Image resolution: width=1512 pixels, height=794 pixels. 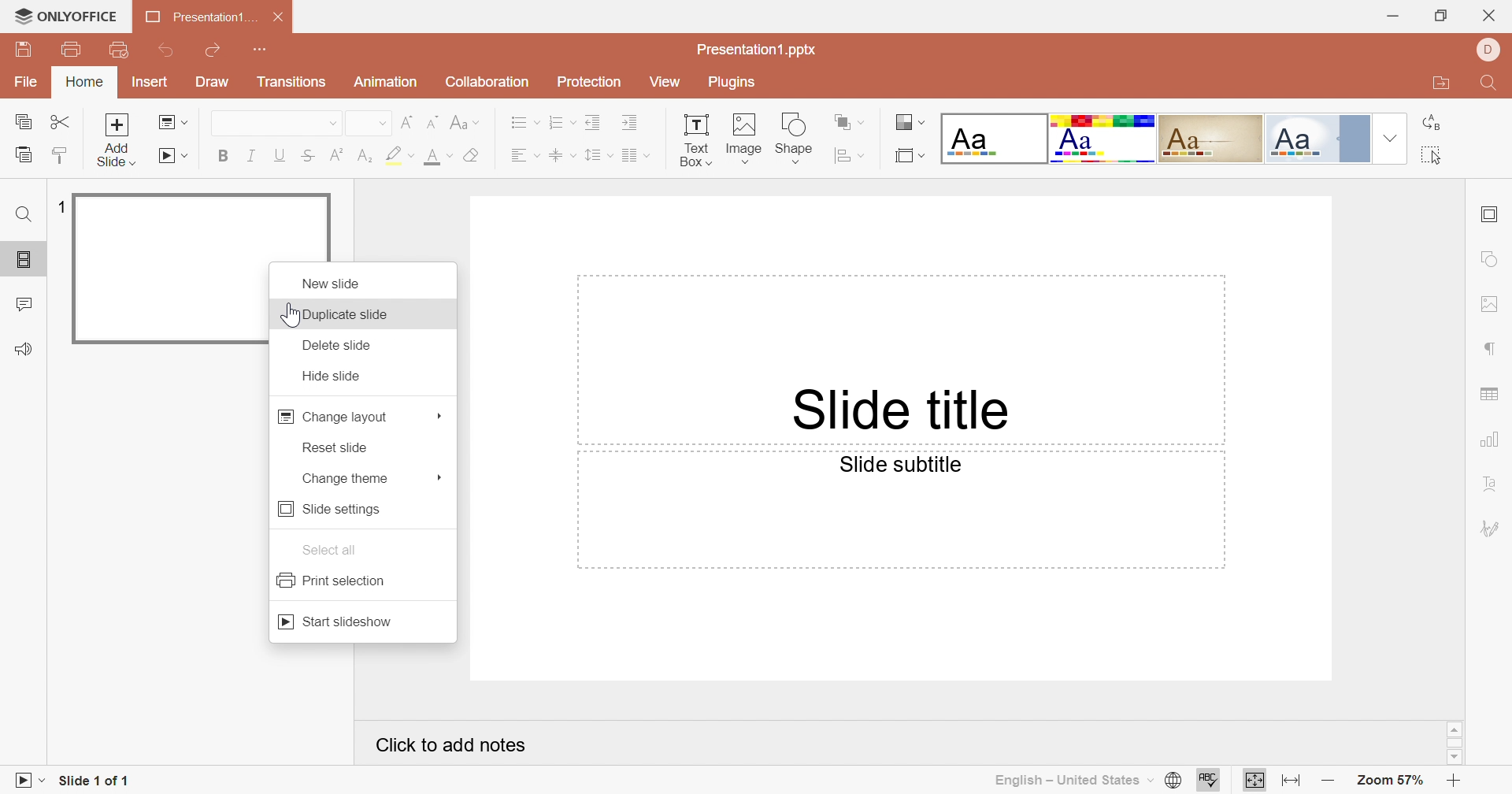 What do you see at coordinates (22, 50) in the screenshot?
I see `Save` at bounding box center [22, 50].